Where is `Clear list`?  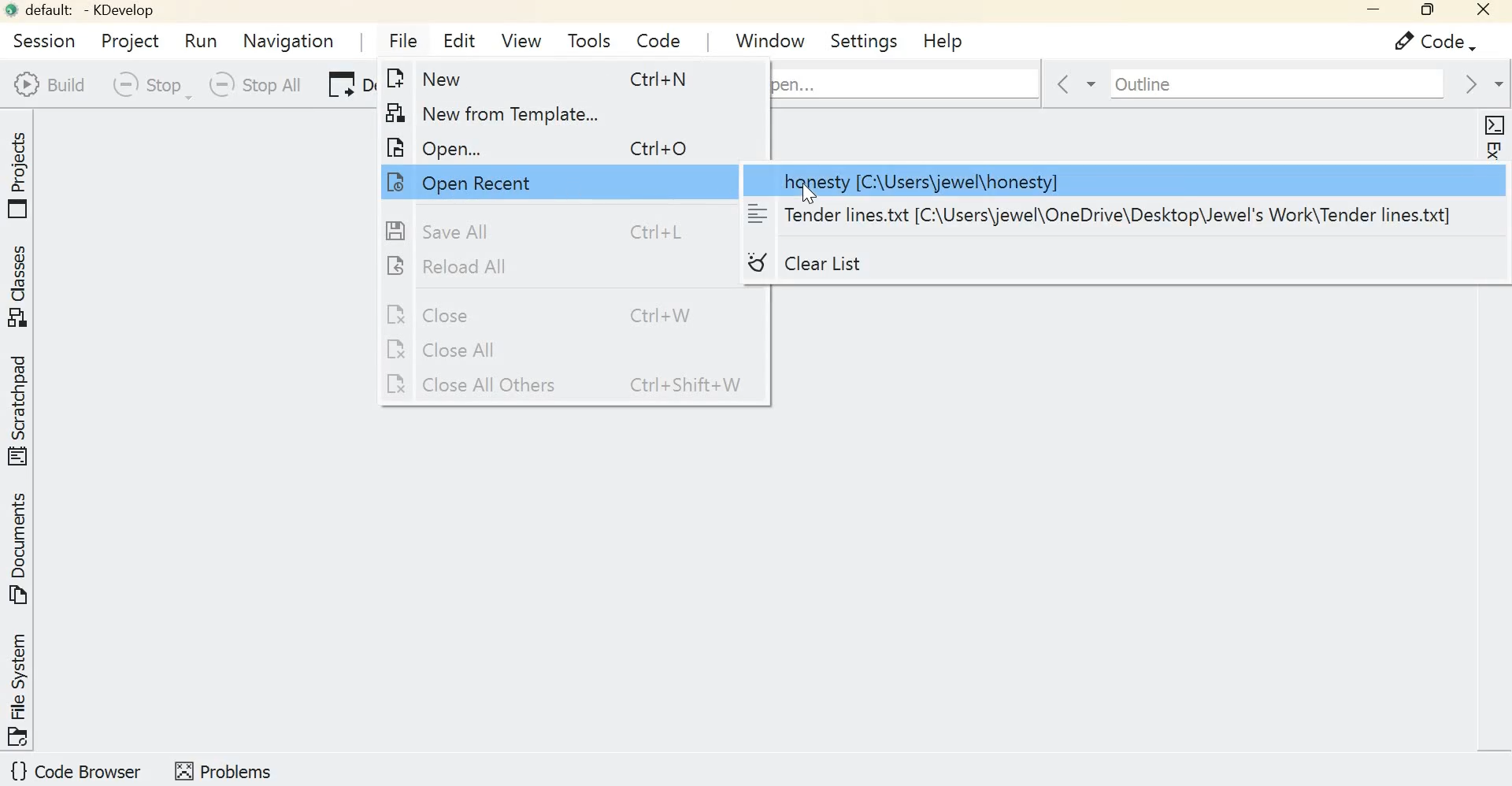 Clear list is located at coordinates (861, 266).